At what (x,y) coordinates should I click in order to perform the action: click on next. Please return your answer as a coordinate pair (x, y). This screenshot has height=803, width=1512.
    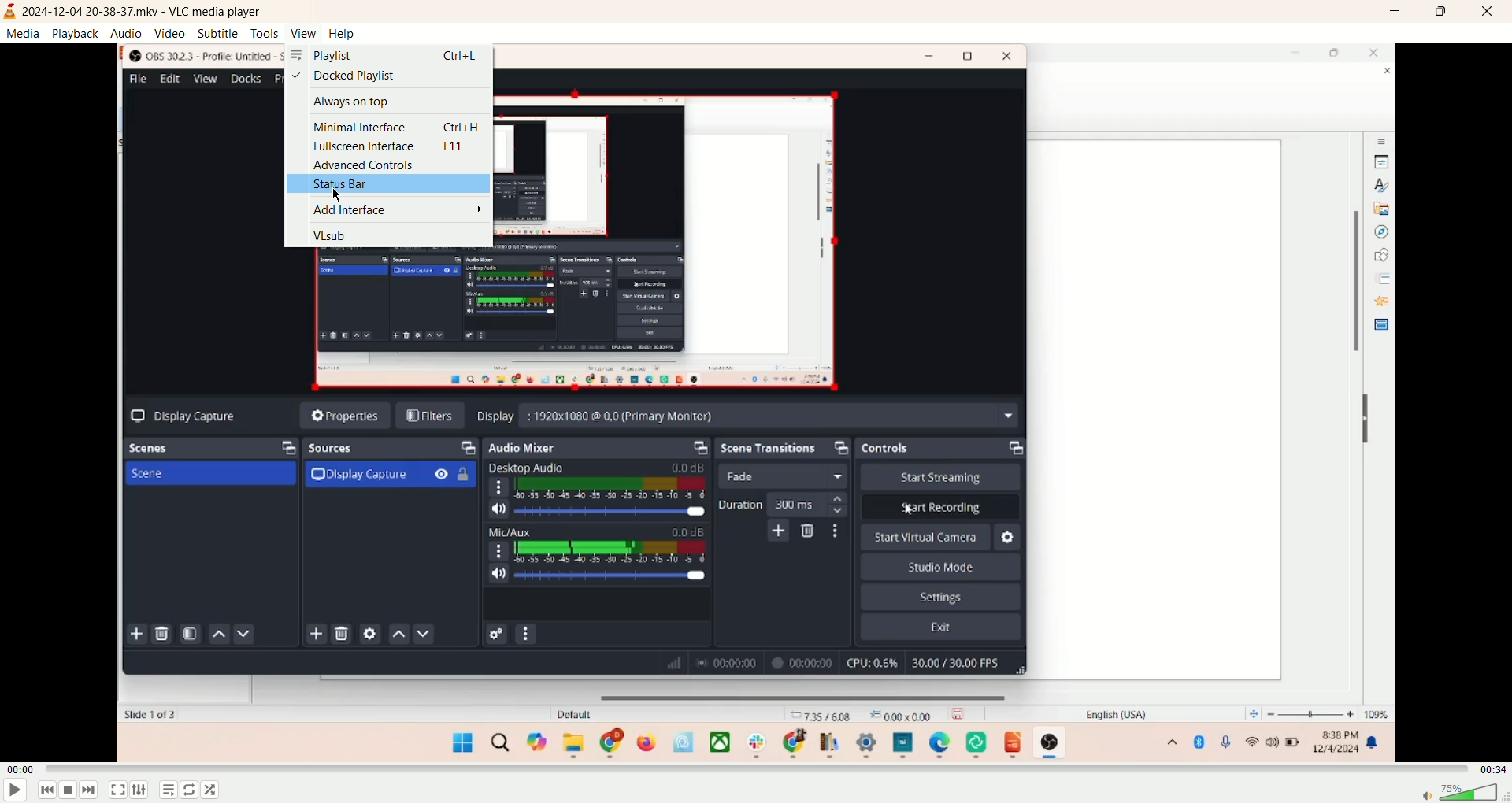
    Looking at the image, I should click on (92, 791).